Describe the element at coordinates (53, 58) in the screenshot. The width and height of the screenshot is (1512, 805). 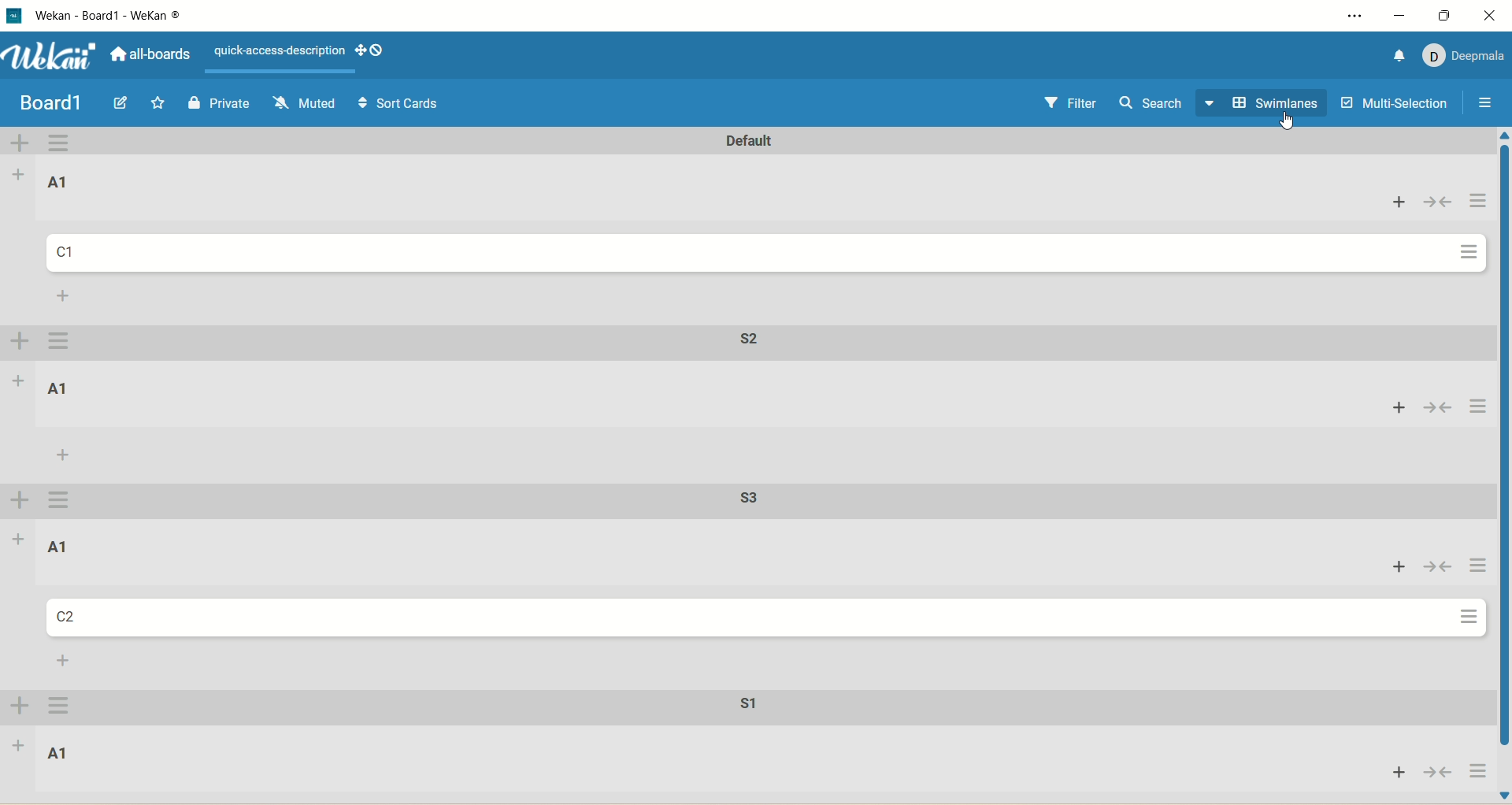
I see `wekan` at that location.